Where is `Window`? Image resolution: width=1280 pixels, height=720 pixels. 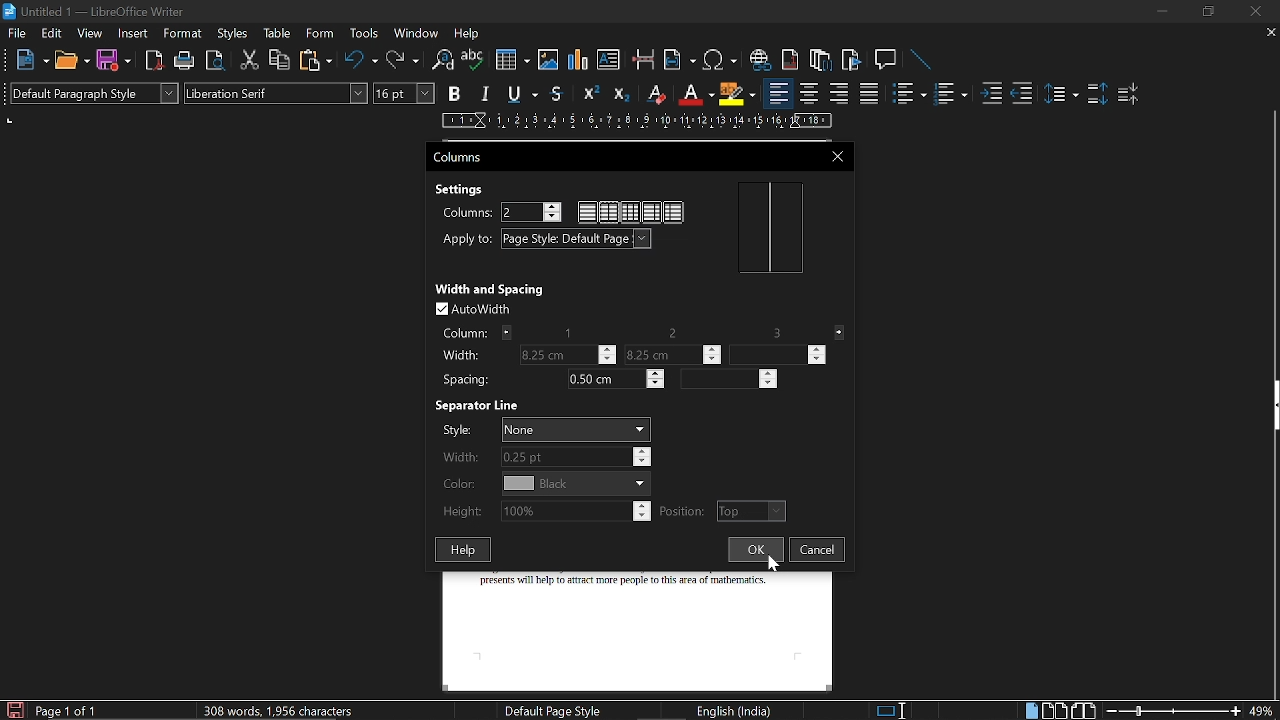
Window is located at coordinates (415, 33).